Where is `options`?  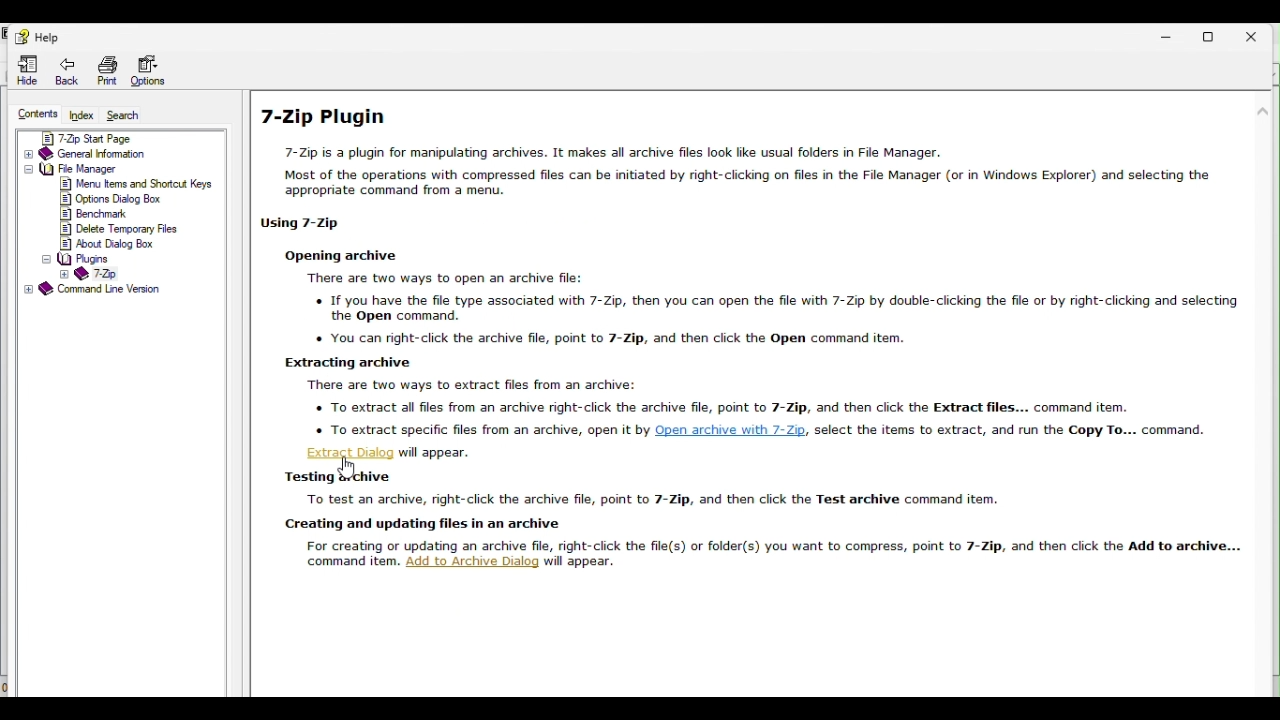 options is located at coordinates (124, 199).